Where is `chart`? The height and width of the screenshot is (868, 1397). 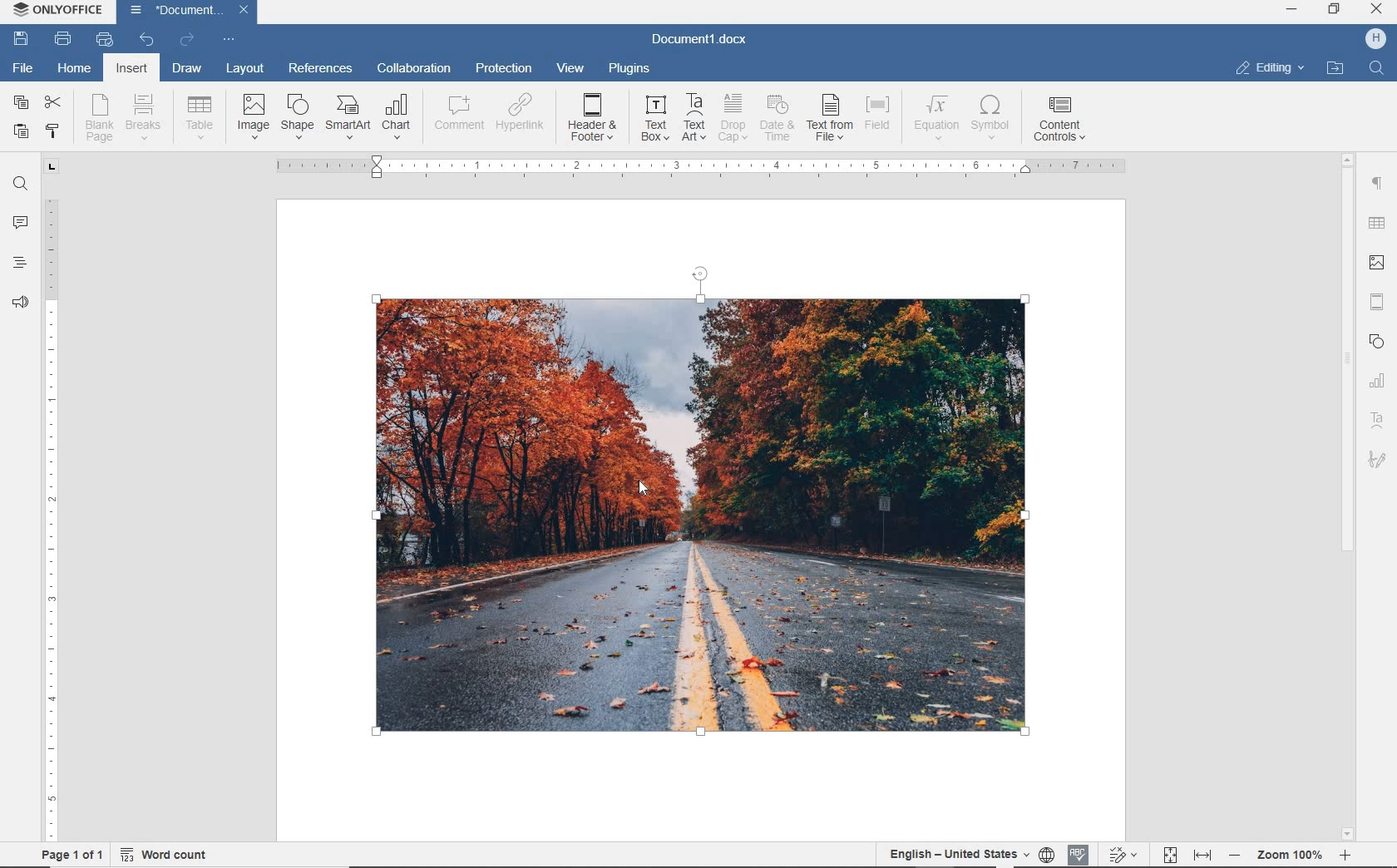
chart is located at coordinates (1376, 381).